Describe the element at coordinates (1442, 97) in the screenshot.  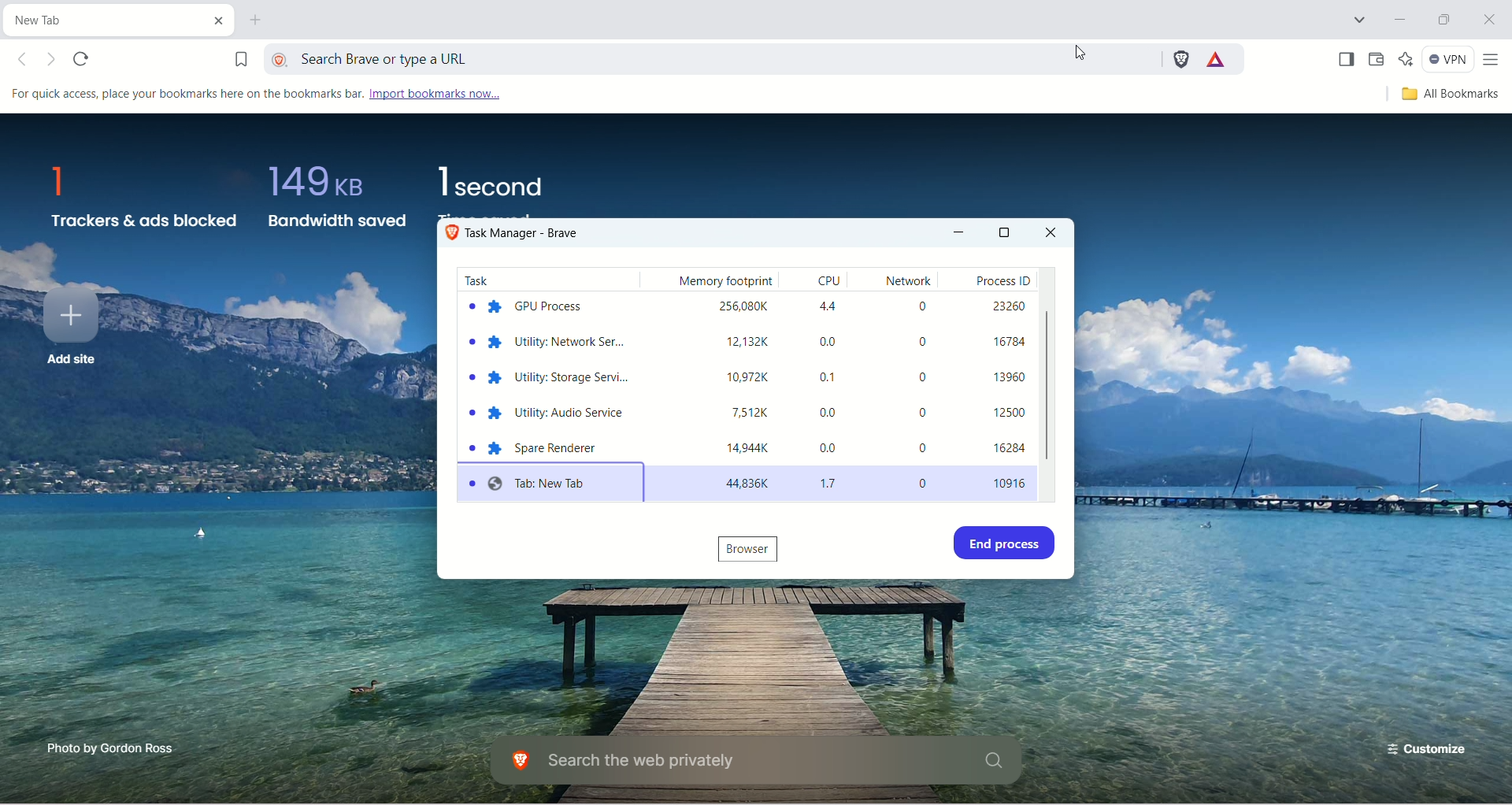
I see `All Bookmarks` at that location.